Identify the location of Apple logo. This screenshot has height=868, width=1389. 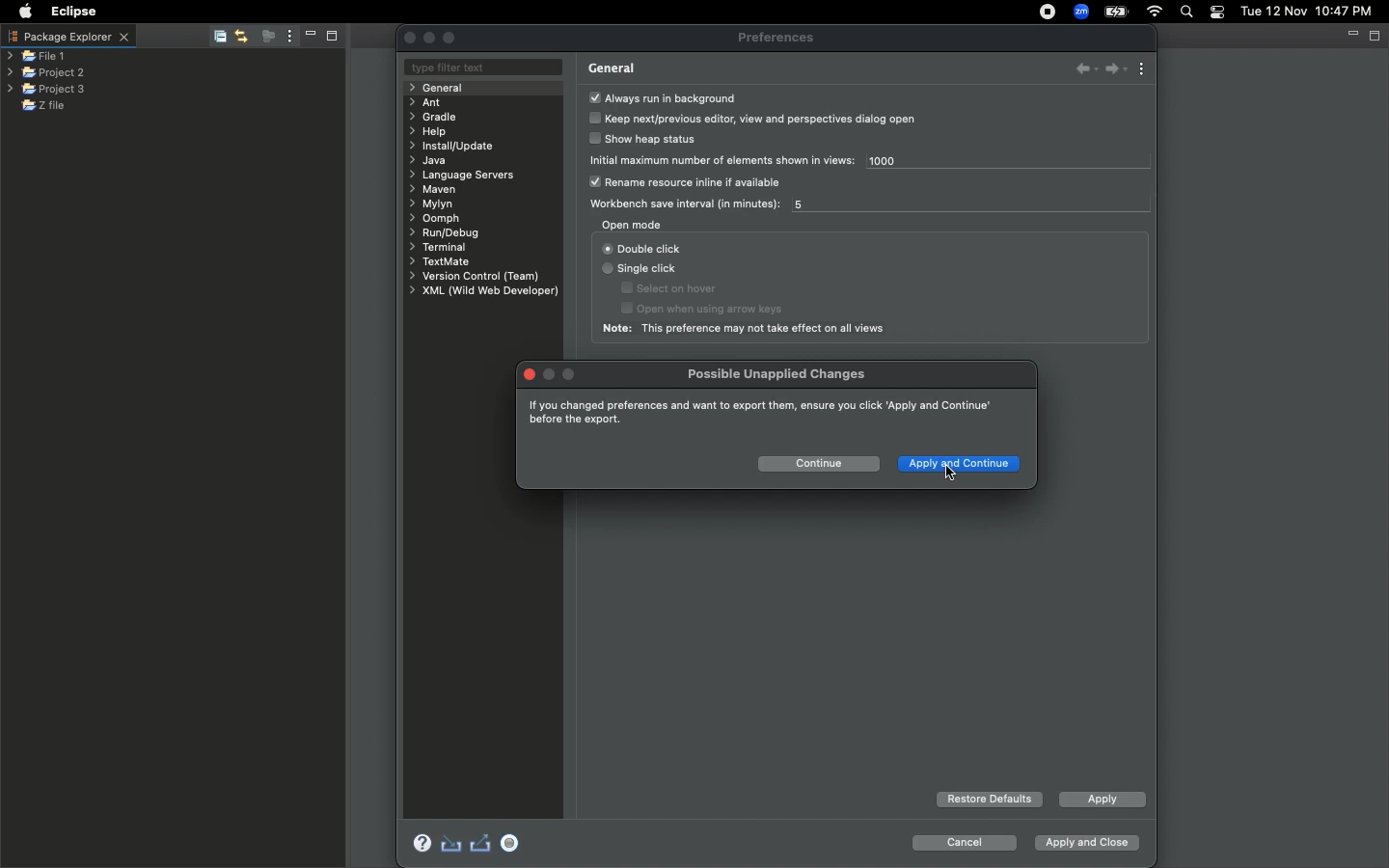
(25, 14).